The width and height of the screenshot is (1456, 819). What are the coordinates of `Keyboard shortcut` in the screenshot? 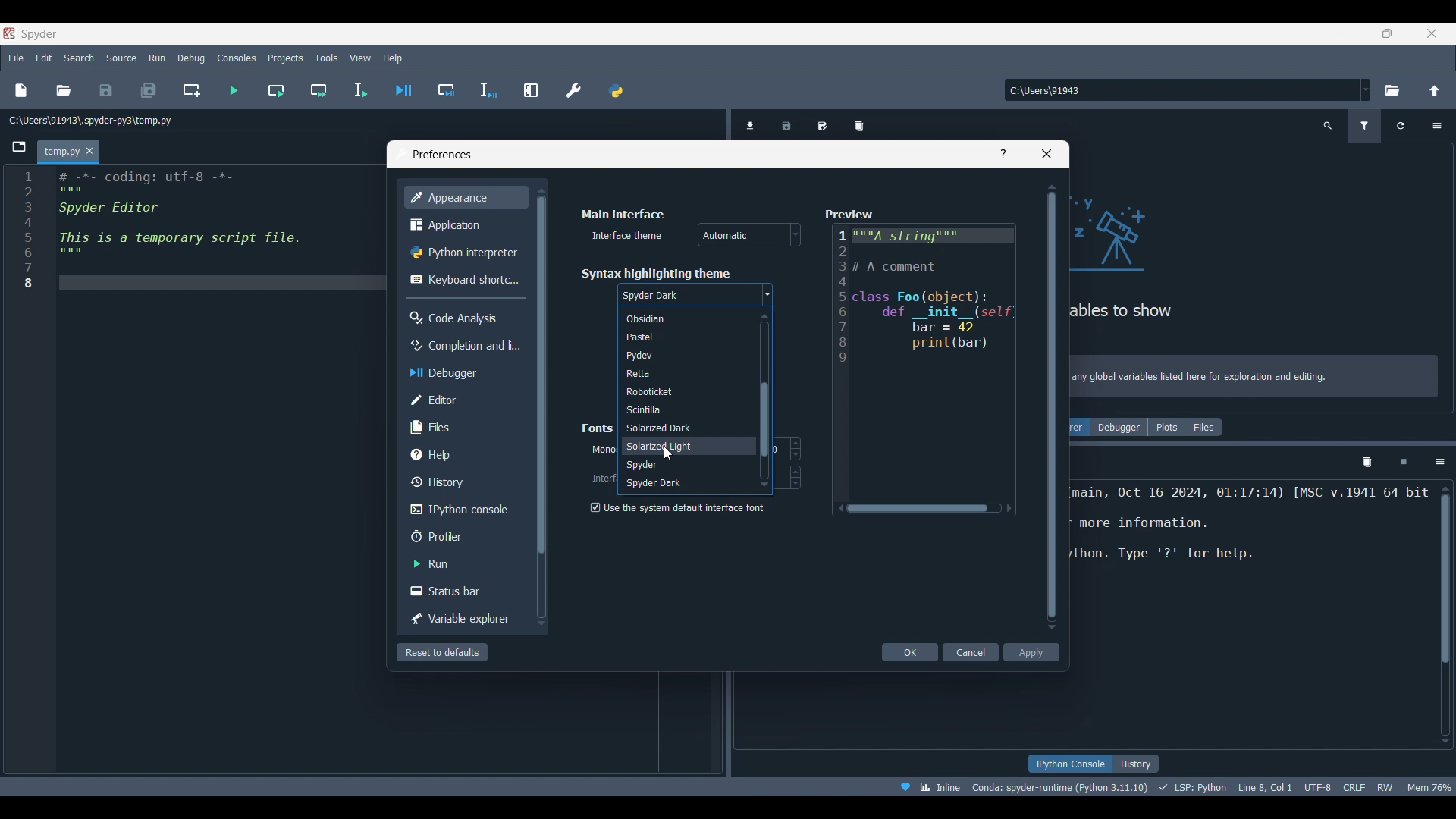 It's located at (464, 280).